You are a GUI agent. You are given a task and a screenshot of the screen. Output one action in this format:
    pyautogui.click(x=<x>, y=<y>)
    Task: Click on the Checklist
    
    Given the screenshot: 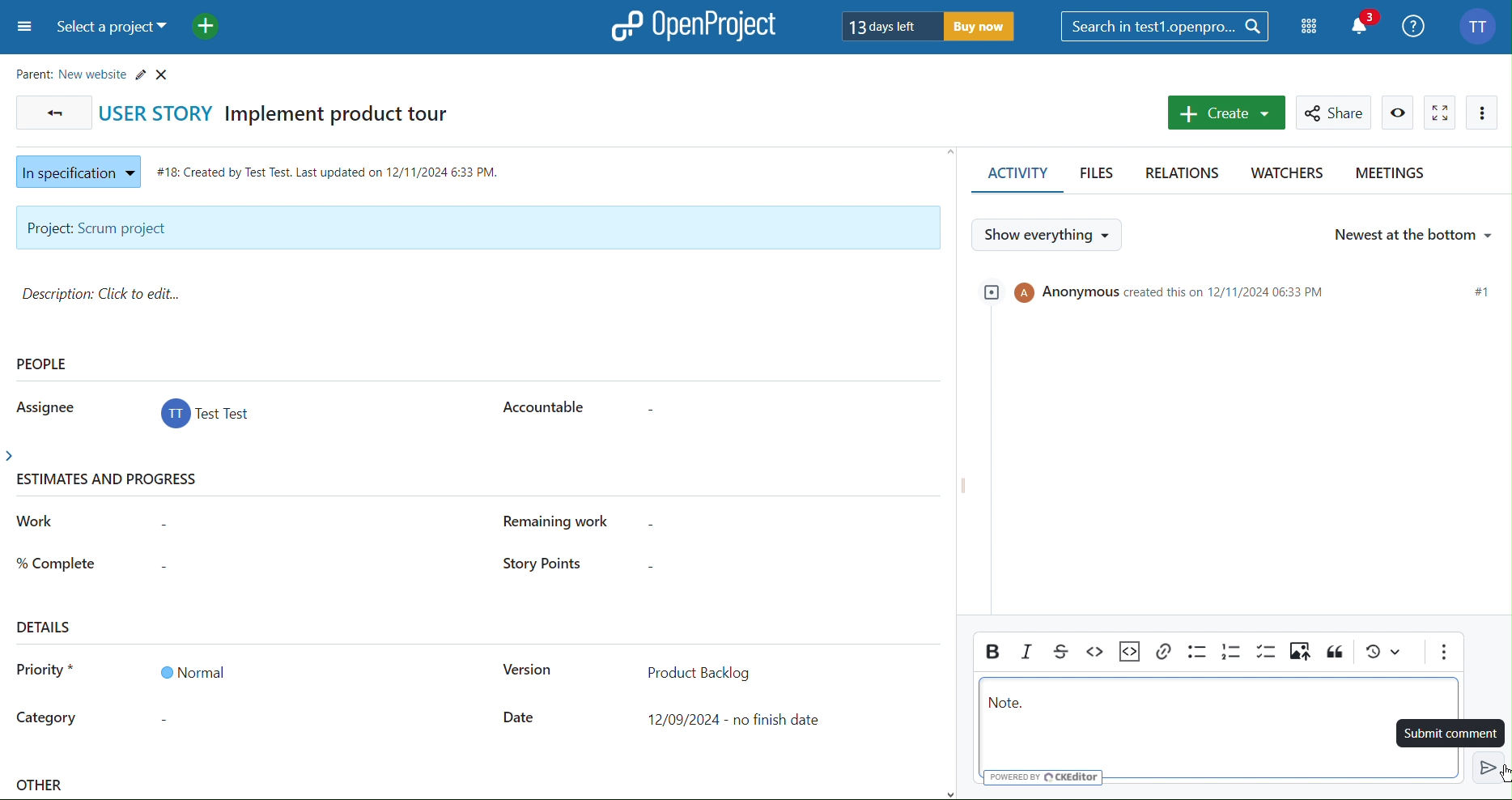 What is the action you would take?
    pyautogui.click(x=1267, y=653)
    